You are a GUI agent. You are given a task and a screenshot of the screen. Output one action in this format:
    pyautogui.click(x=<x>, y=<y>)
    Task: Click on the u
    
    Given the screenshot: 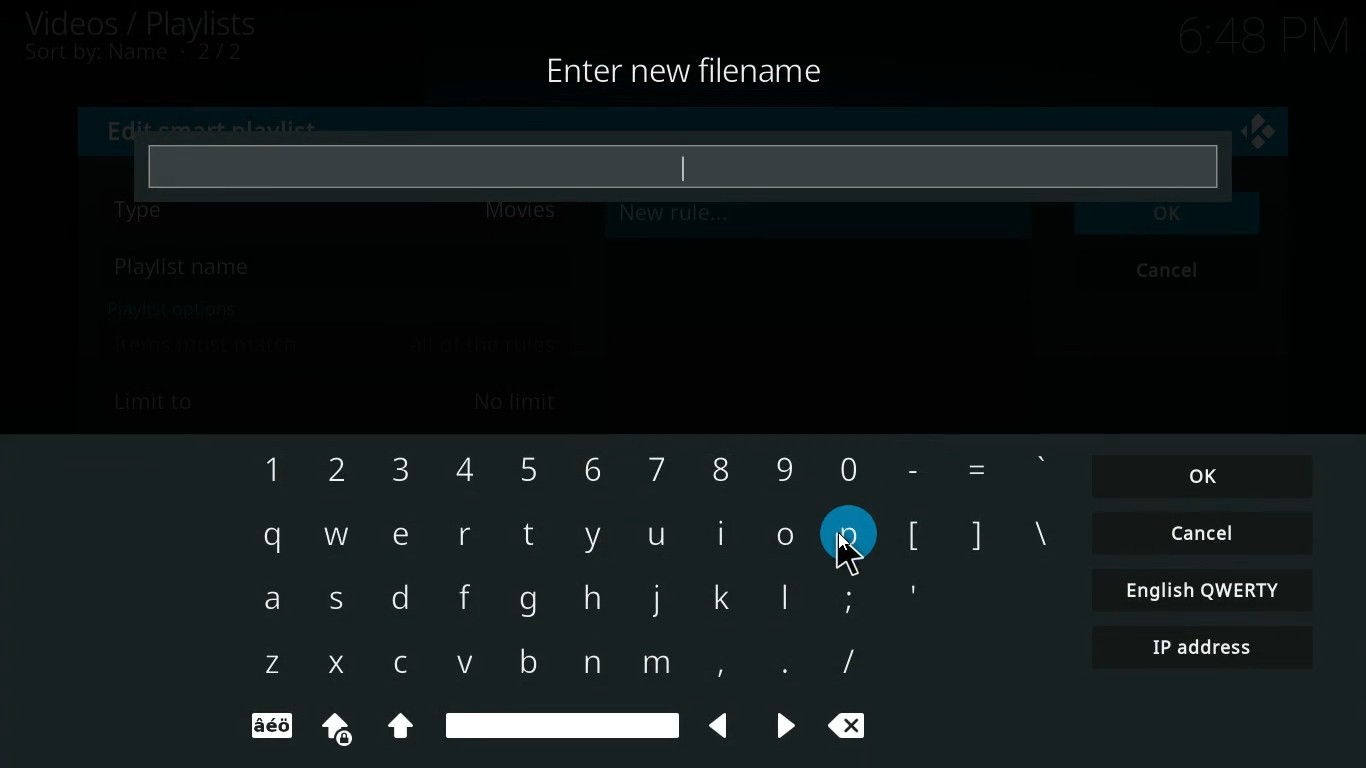 What is the action you would take?
    pyautogui.click(x=656, y=537)
    